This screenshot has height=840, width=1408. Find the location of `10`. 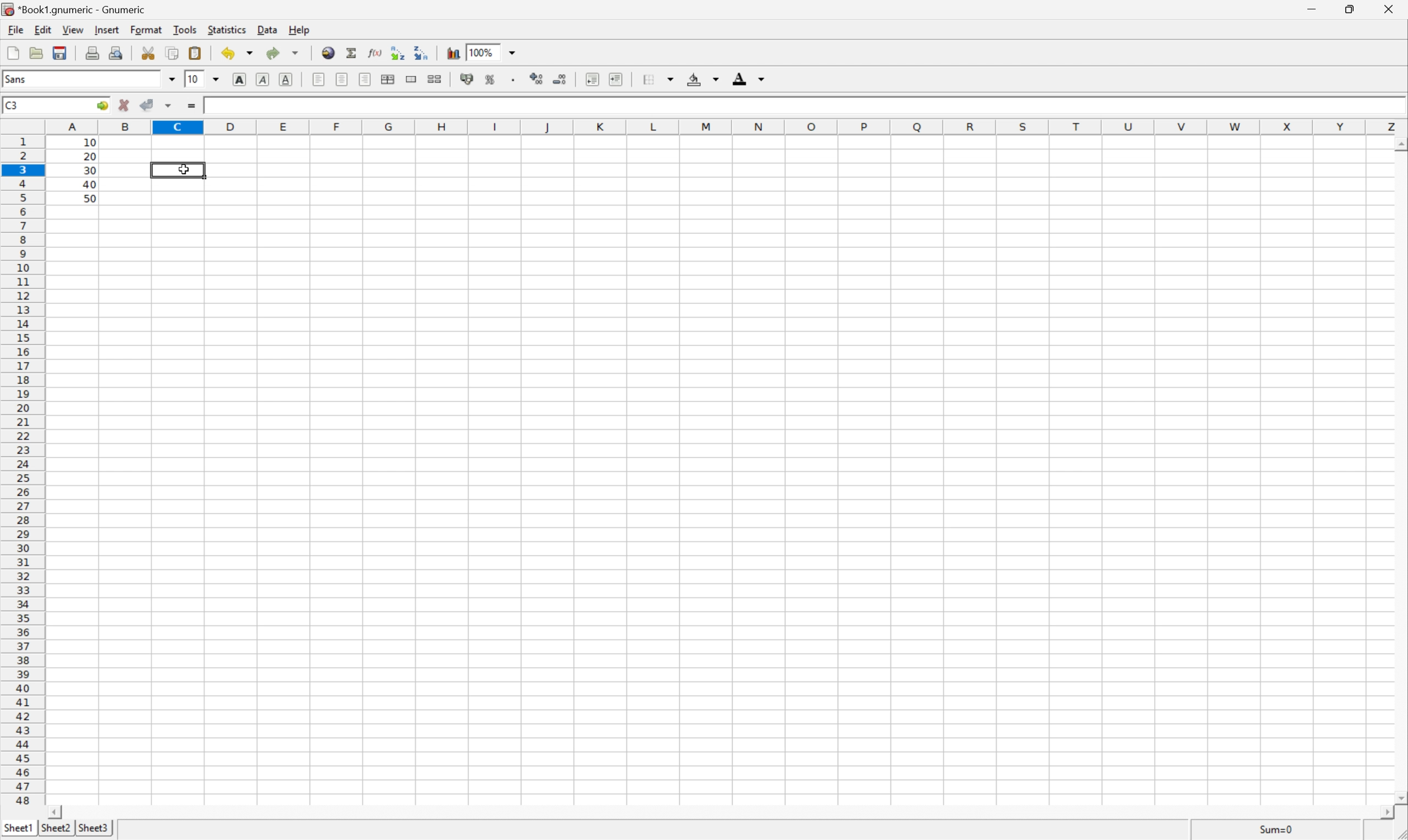

10 is located at coordinates (214, 107).